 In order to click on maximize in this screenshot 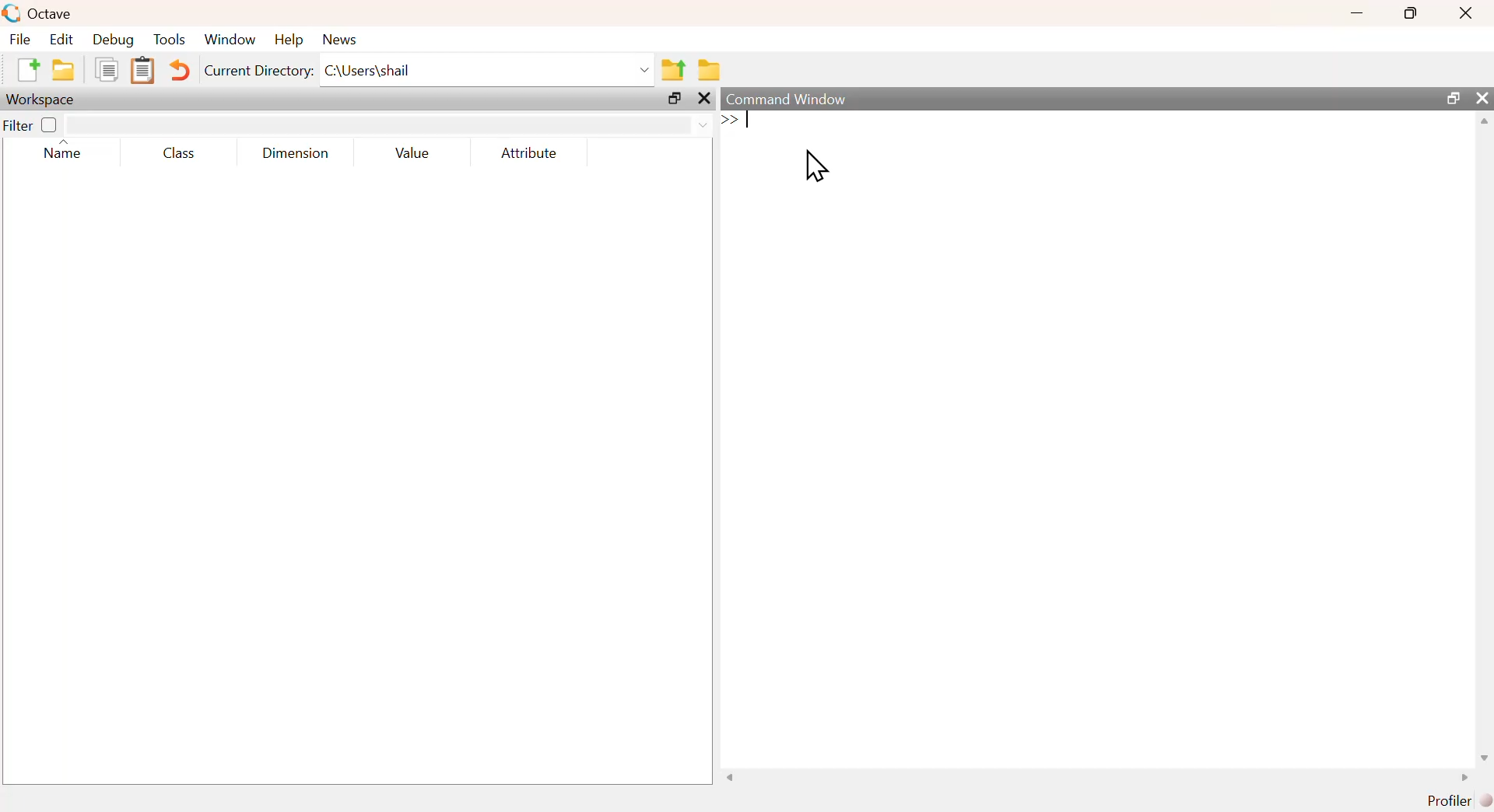, I will do `click(1408, 13)`.